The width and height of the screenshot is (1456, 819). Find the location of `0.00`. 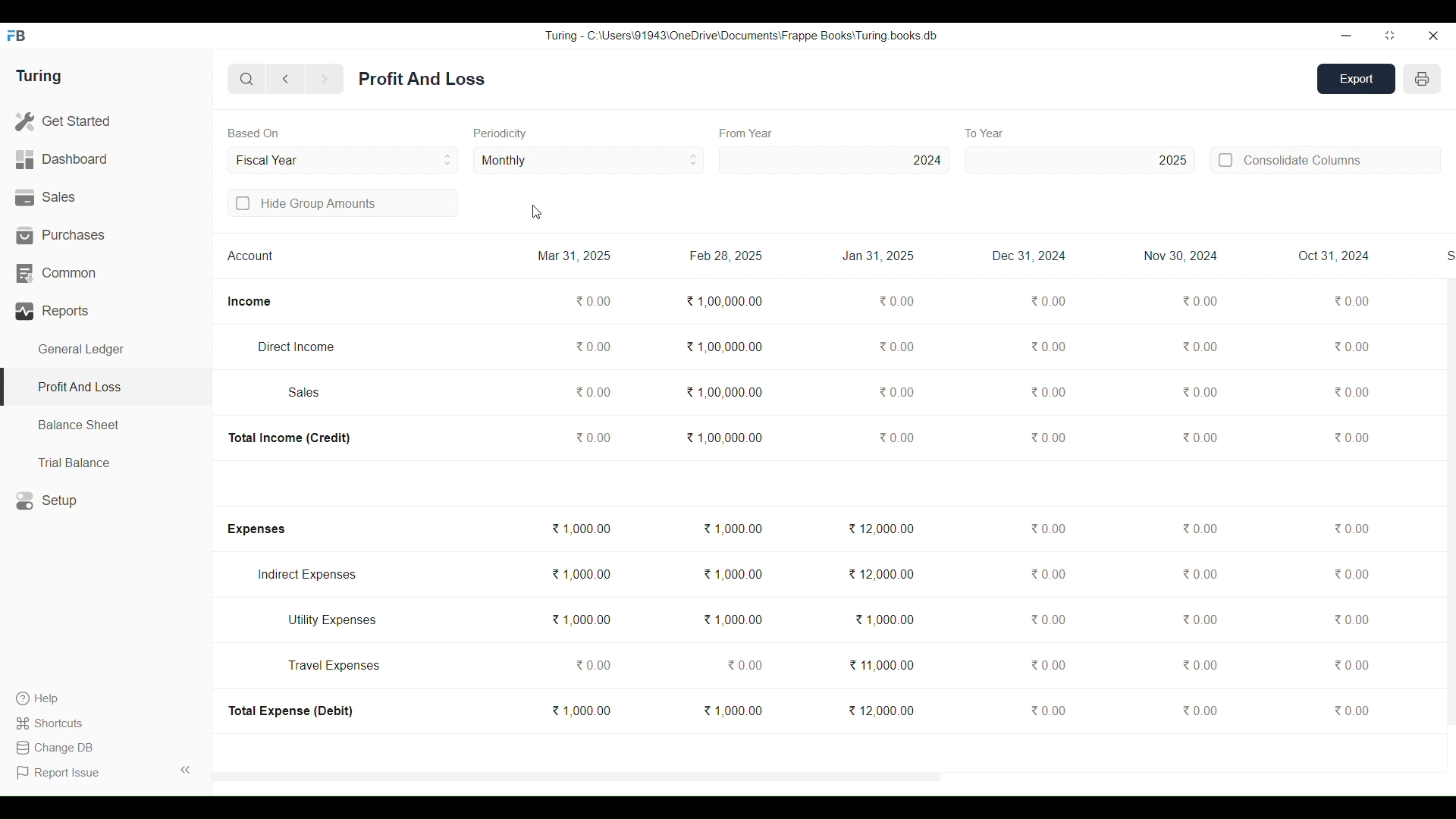

0.00 is located at coordinates (1049, 301).